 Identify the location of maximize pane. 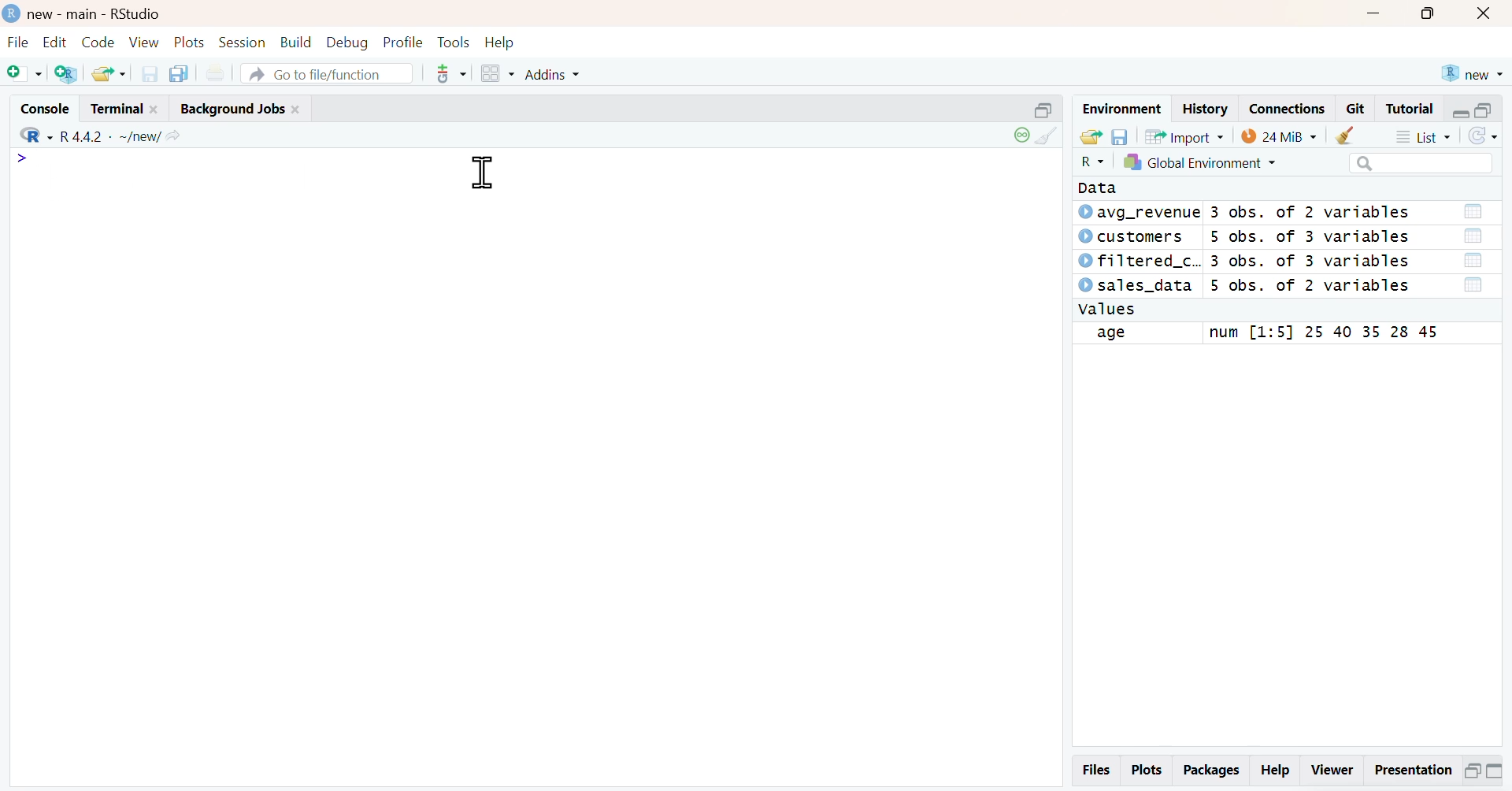
(1485, 111).